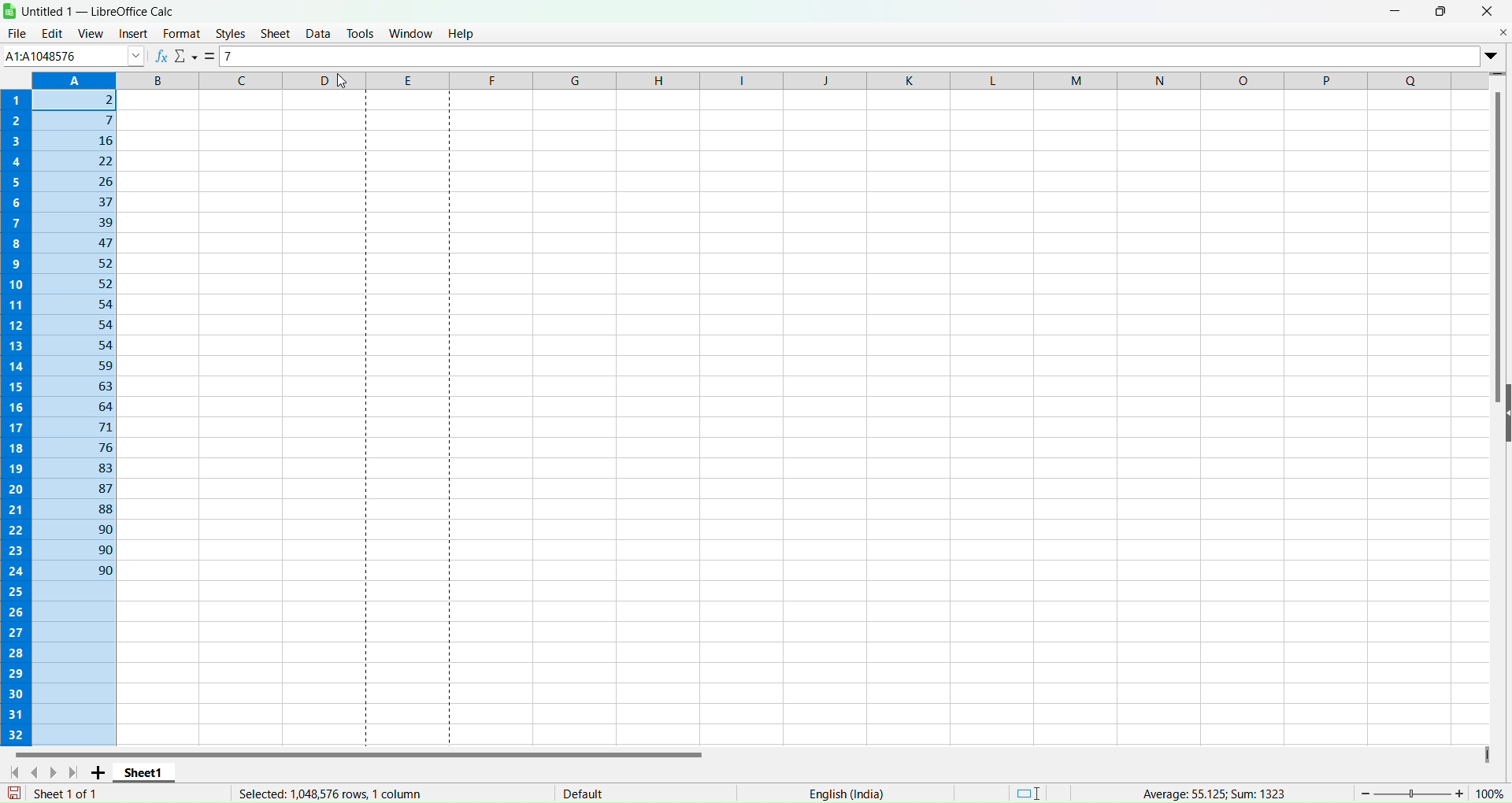  What do you see at coordinates (182, 33) in the screenshot?
I see `Format` at bounding box center [182, 33].